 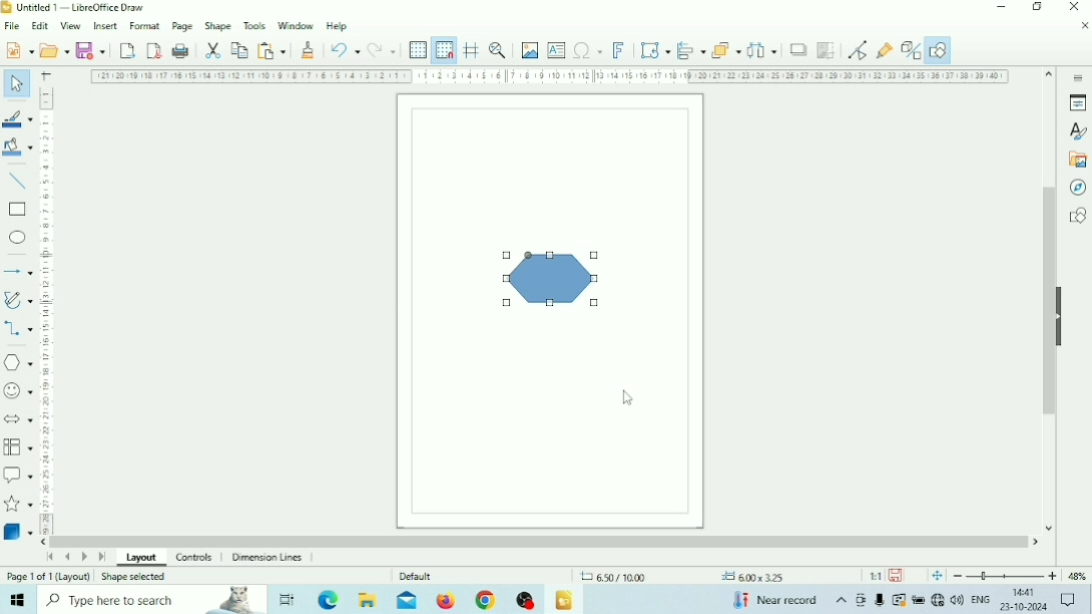 I want to click on Scaling factor, so click(x=875, y=576).